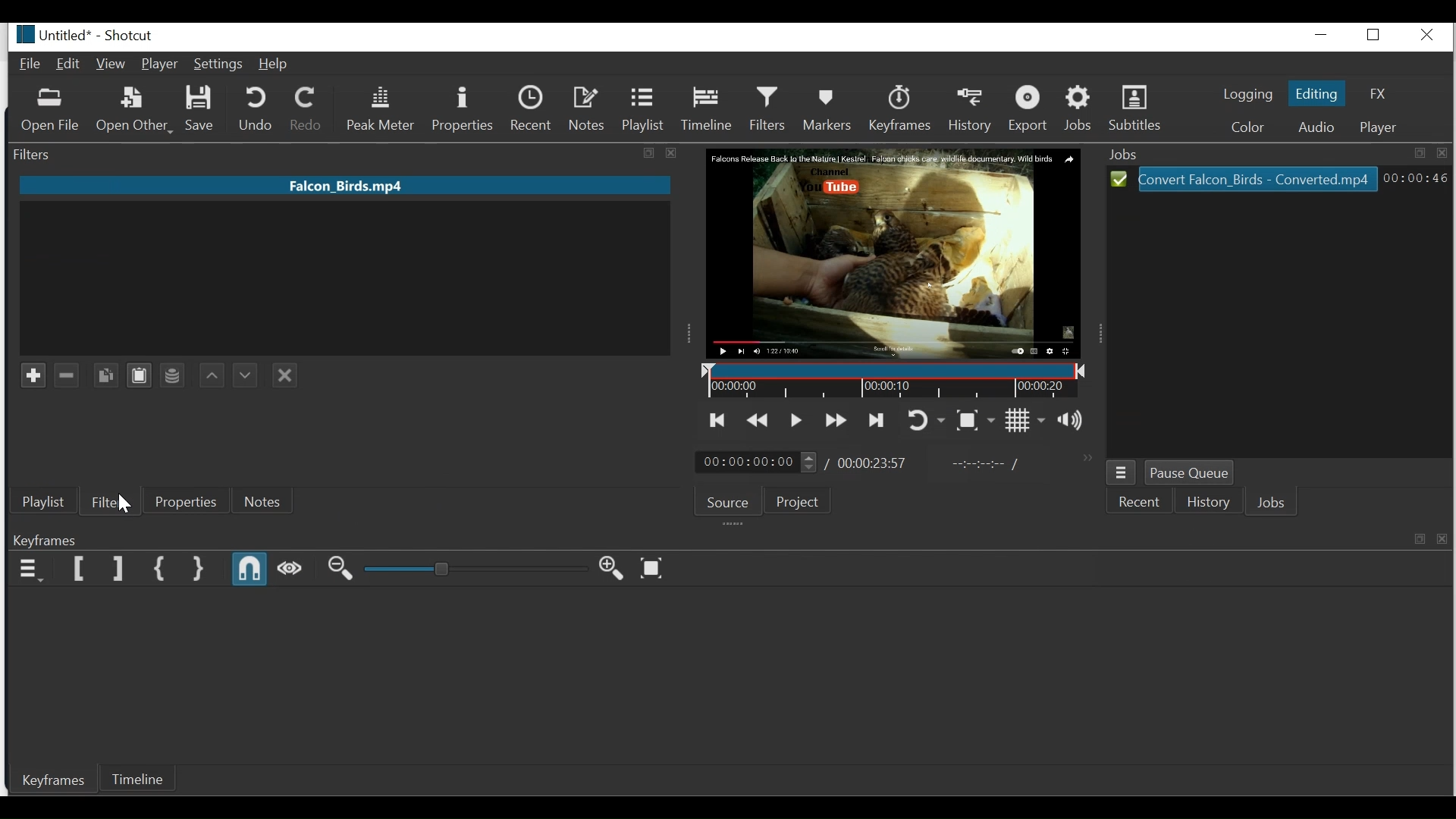  What do you see at coordinates (338, 570) in the screenshot?
I see `Zoom Keyframe out` at bounding box center [338, 570].